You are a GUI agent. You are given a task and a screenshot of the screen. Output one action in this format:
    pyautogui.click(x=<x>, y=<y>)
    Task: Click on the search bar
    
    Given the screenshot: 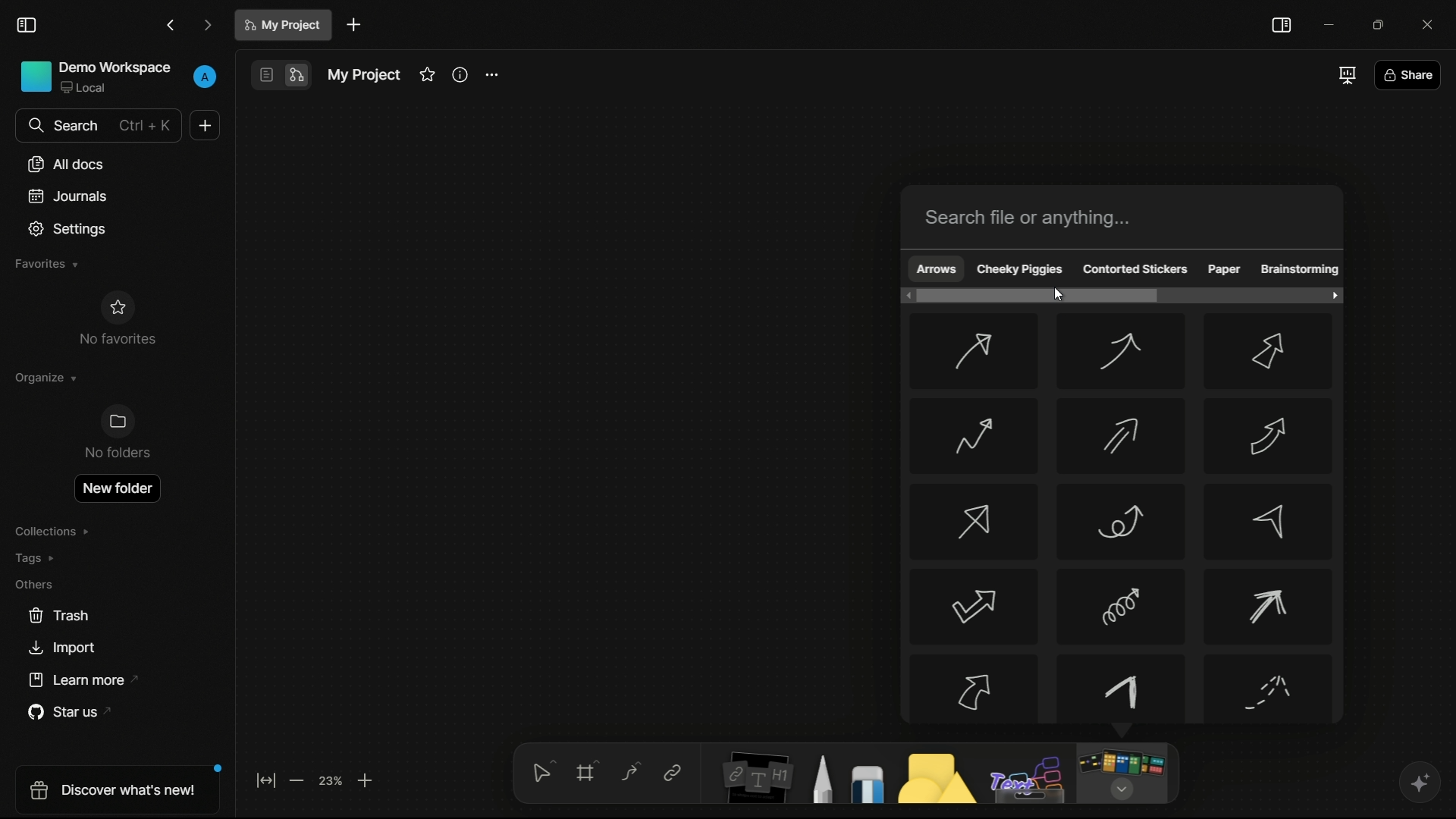 What is the action you would take?
    pyautogui.click(x=1125, y=217)
    